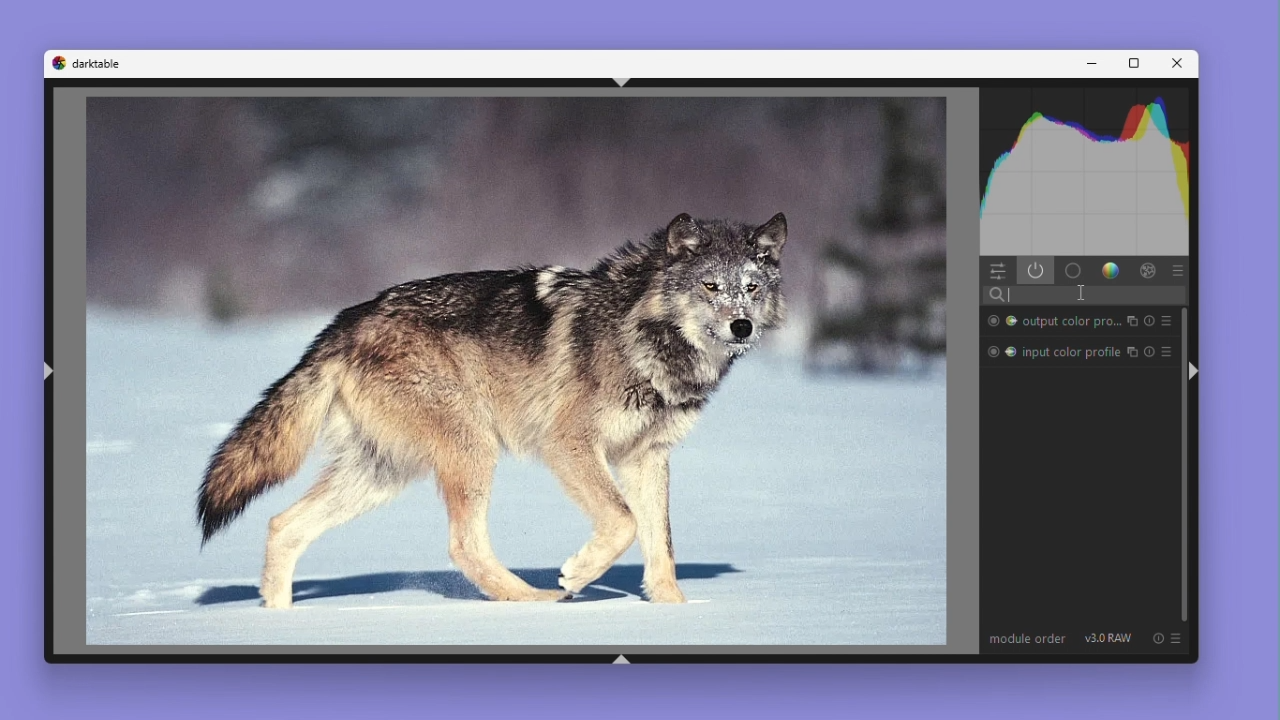 The height and width of the screenshot is (720, 1280). What do you see at coordinates (1111, 270) in the screenshot?
I see `Colors` at bounding box center [1111, 270].